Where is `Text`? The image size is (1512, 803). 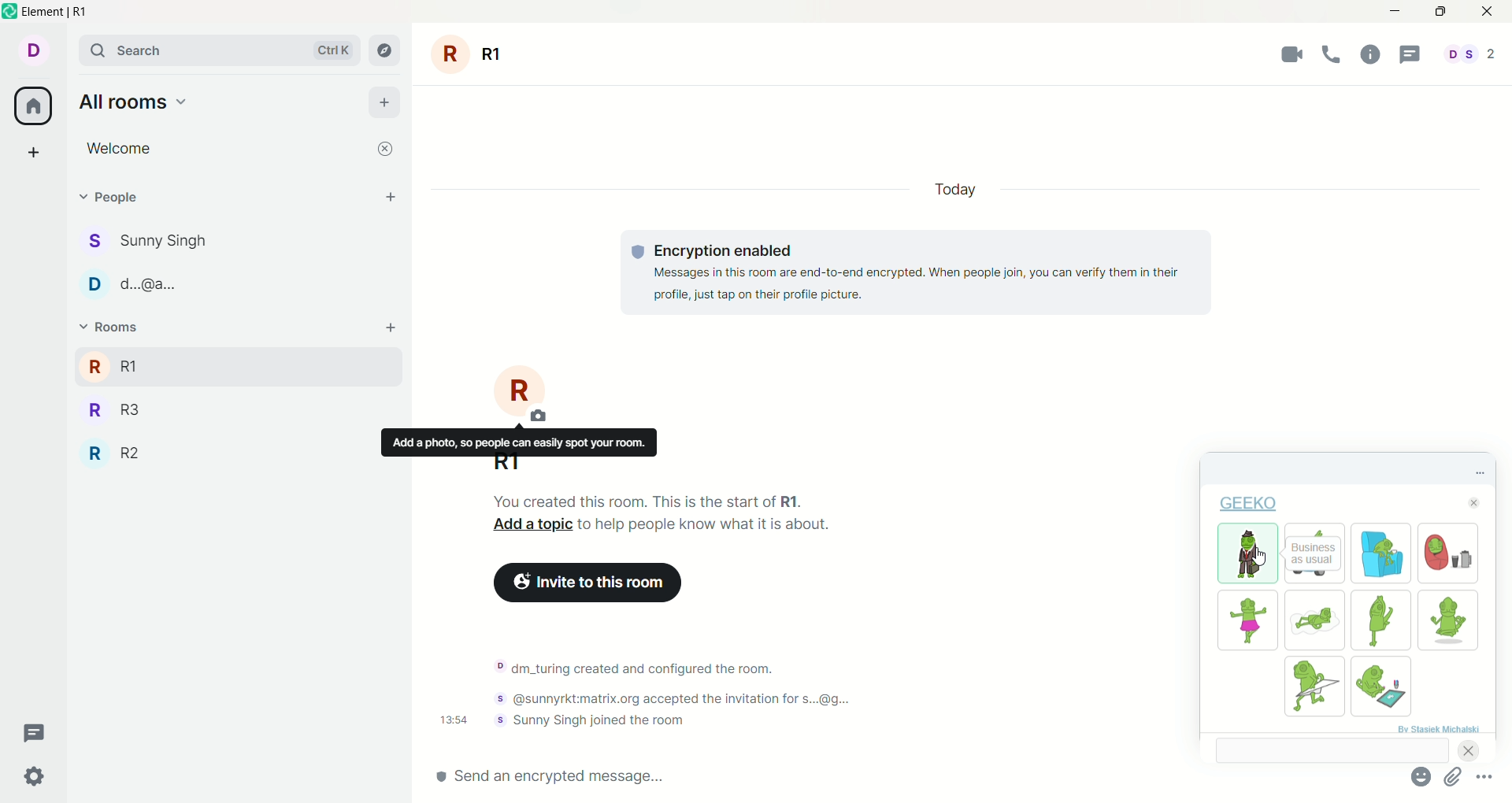 Text is located at coordinates (706, 524).